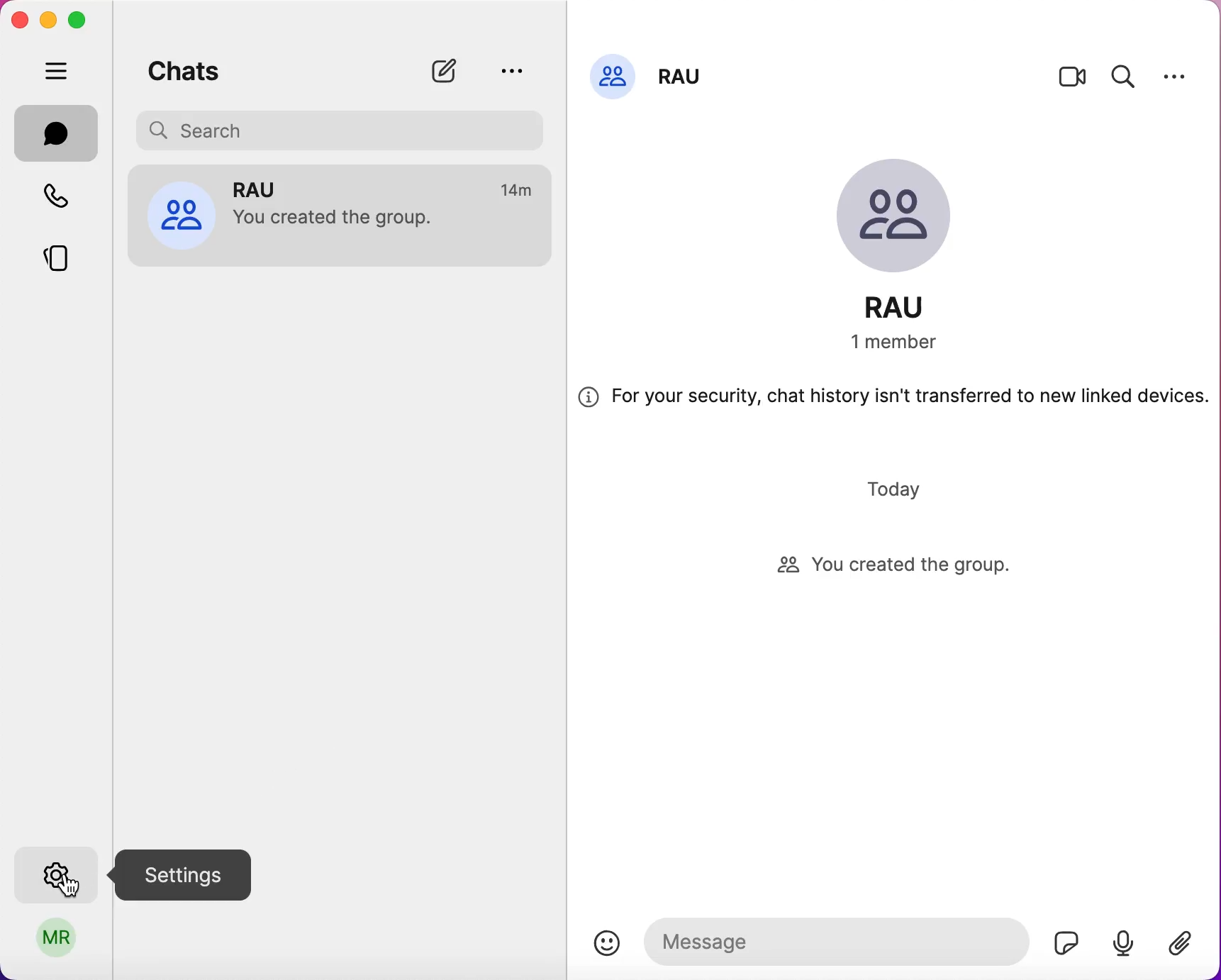  I want to click on group picture, so click(899, 206).